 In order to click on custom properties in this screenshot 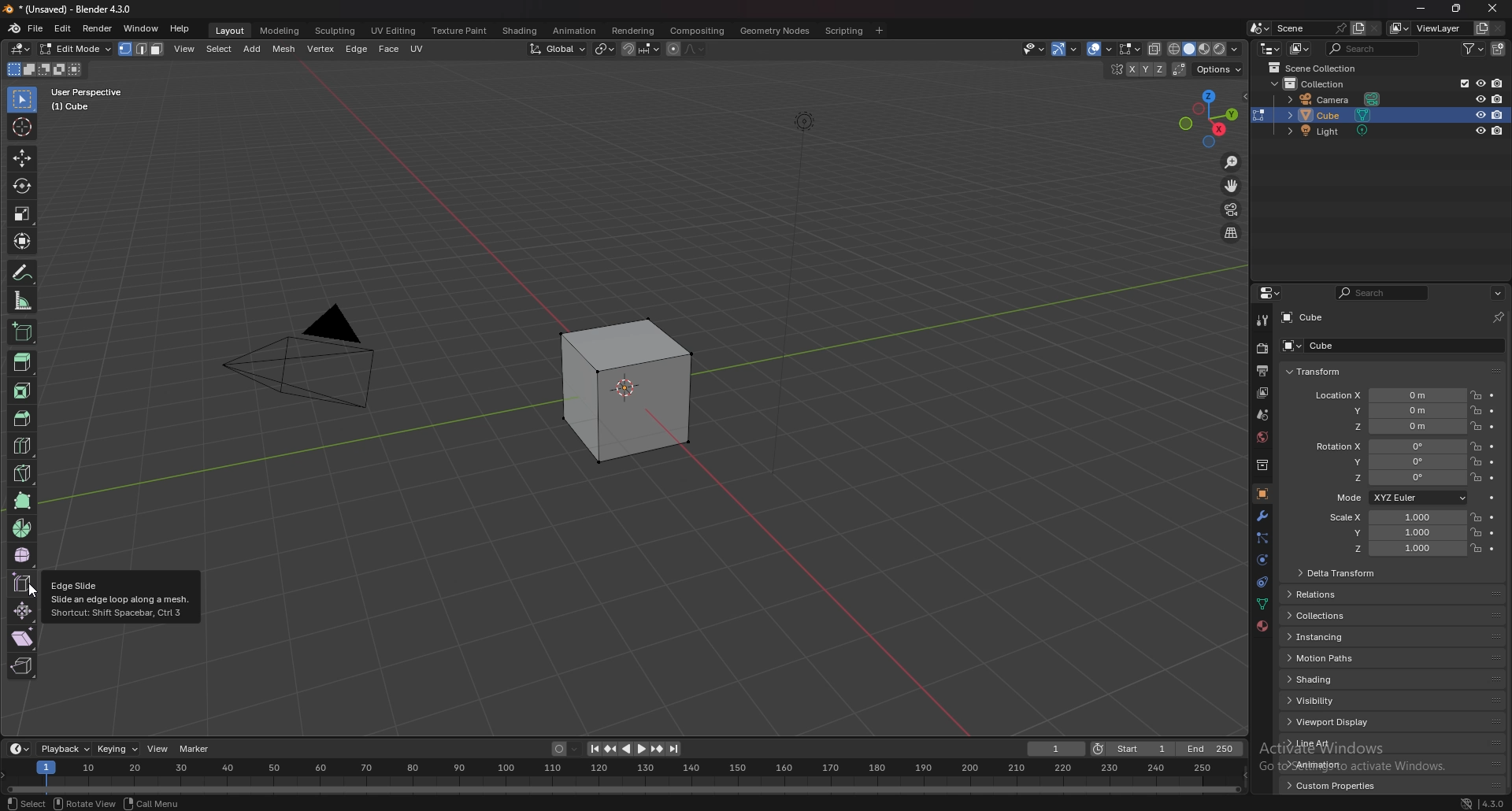, I will do `click(1332, 785)`.